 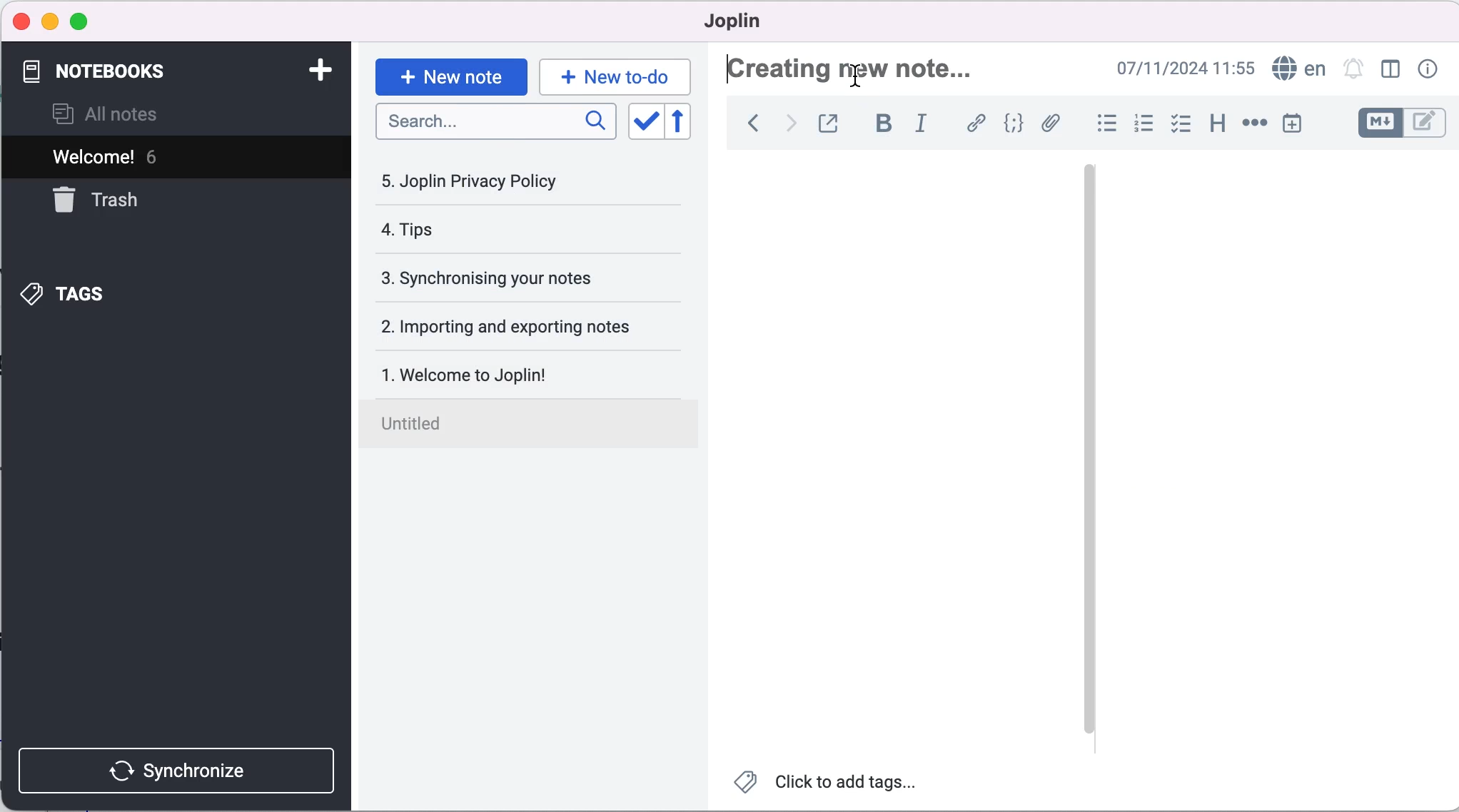 I want to click on italic, so click(x=923, y=128).